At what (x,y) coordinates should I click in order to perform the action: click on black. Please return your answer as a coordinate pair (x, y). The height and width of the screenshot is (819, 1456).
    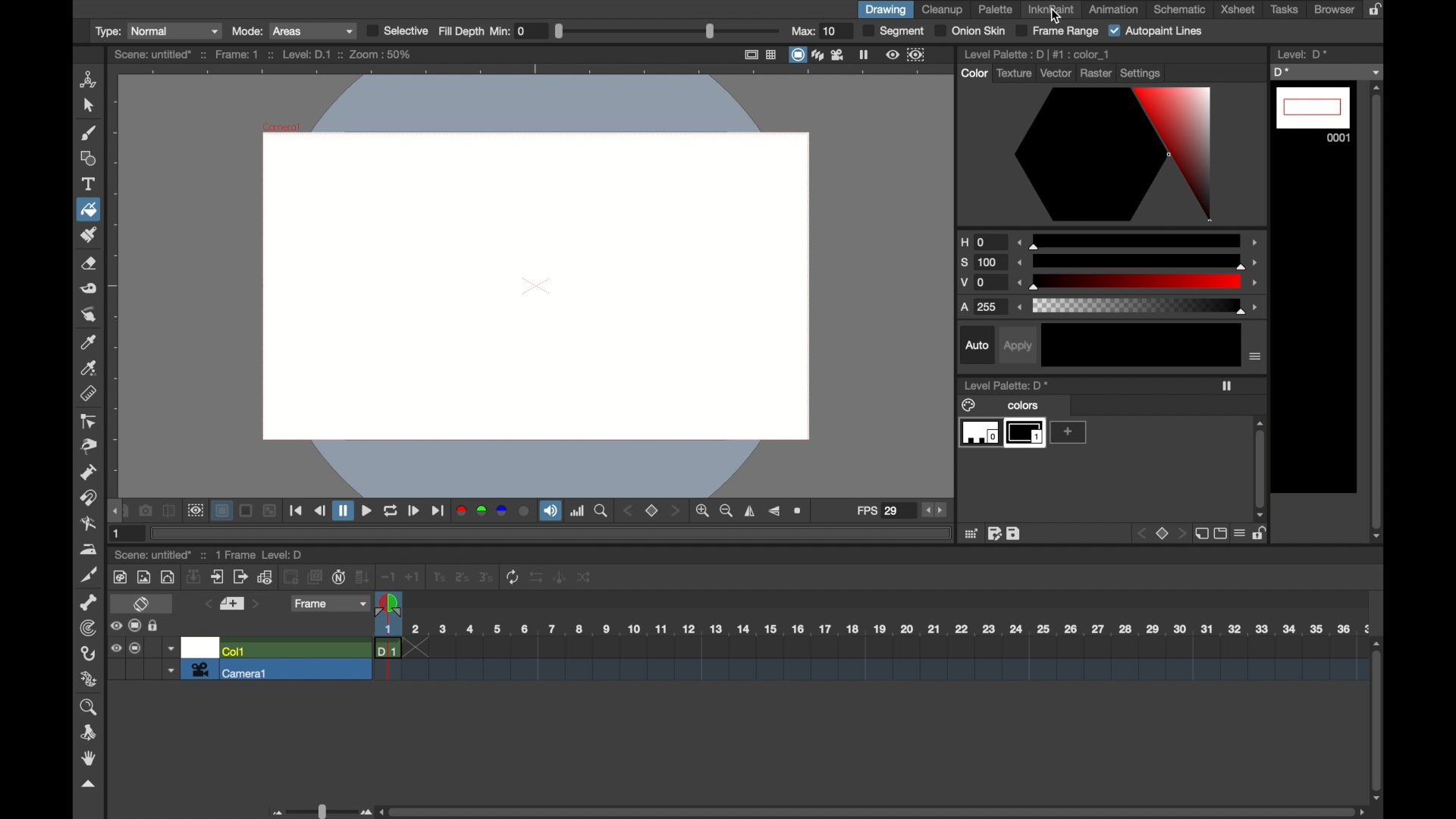
    Looking at the image, I should click on (1141, 345).